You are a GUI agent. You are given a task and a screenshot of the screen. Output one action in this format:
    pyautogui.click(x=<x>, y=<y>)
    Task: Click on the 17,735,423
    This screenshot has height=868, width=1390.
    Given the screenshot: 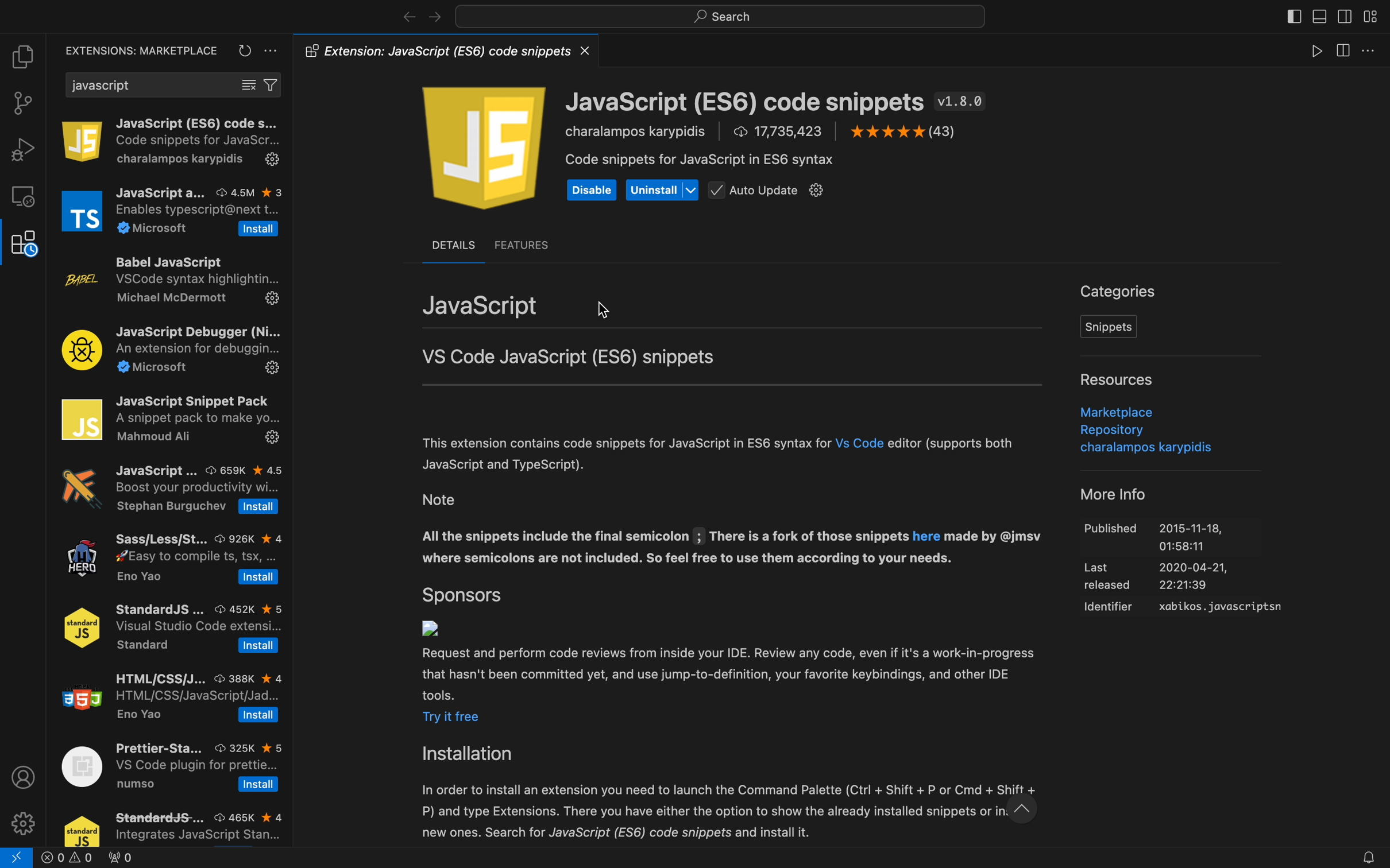 What is the action you would take?
    pyautogui.click(x=778, y=131)
    